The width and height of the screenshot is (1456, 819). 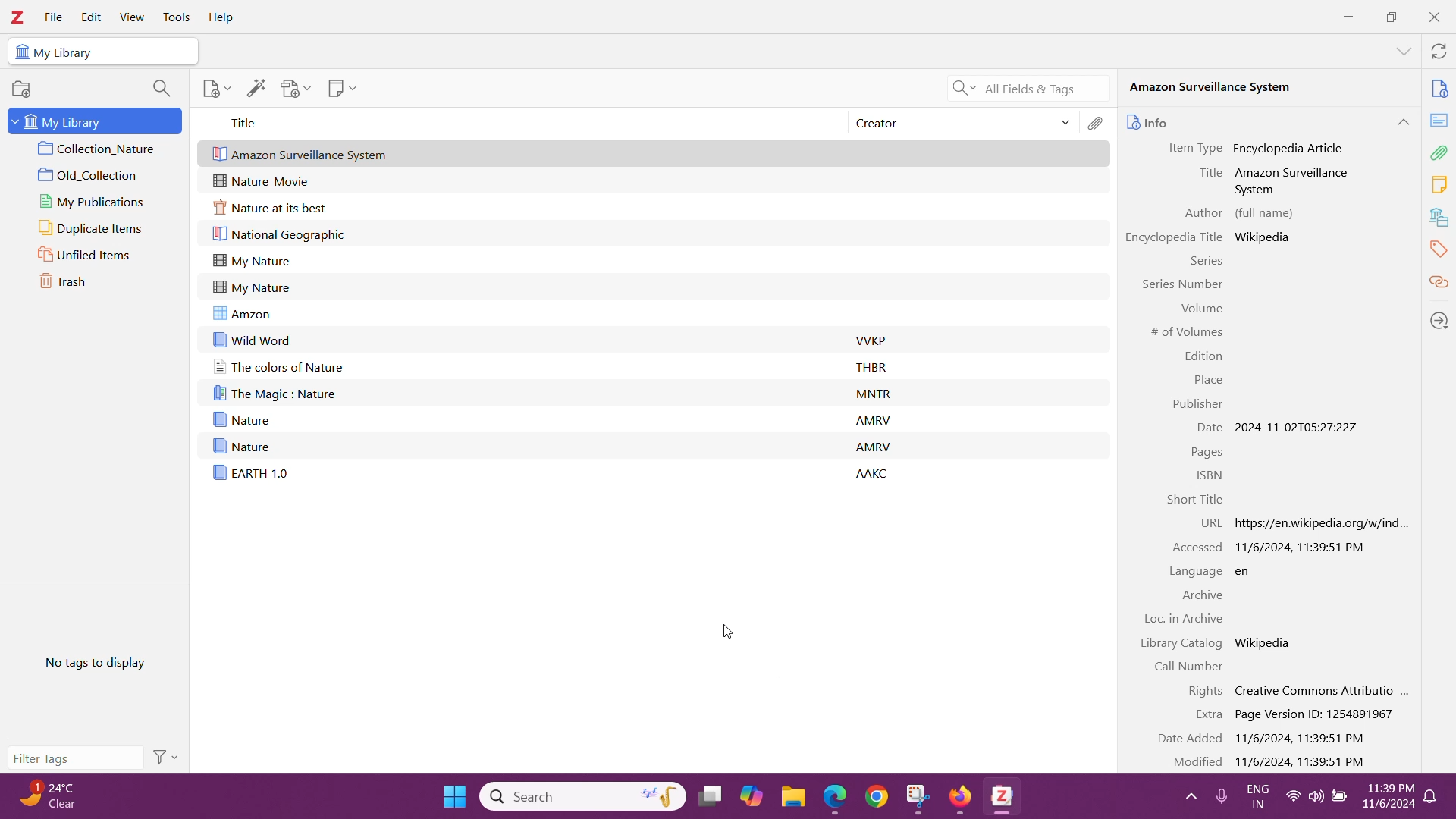 I want to click on Edition, so click(x=1201, y=357).